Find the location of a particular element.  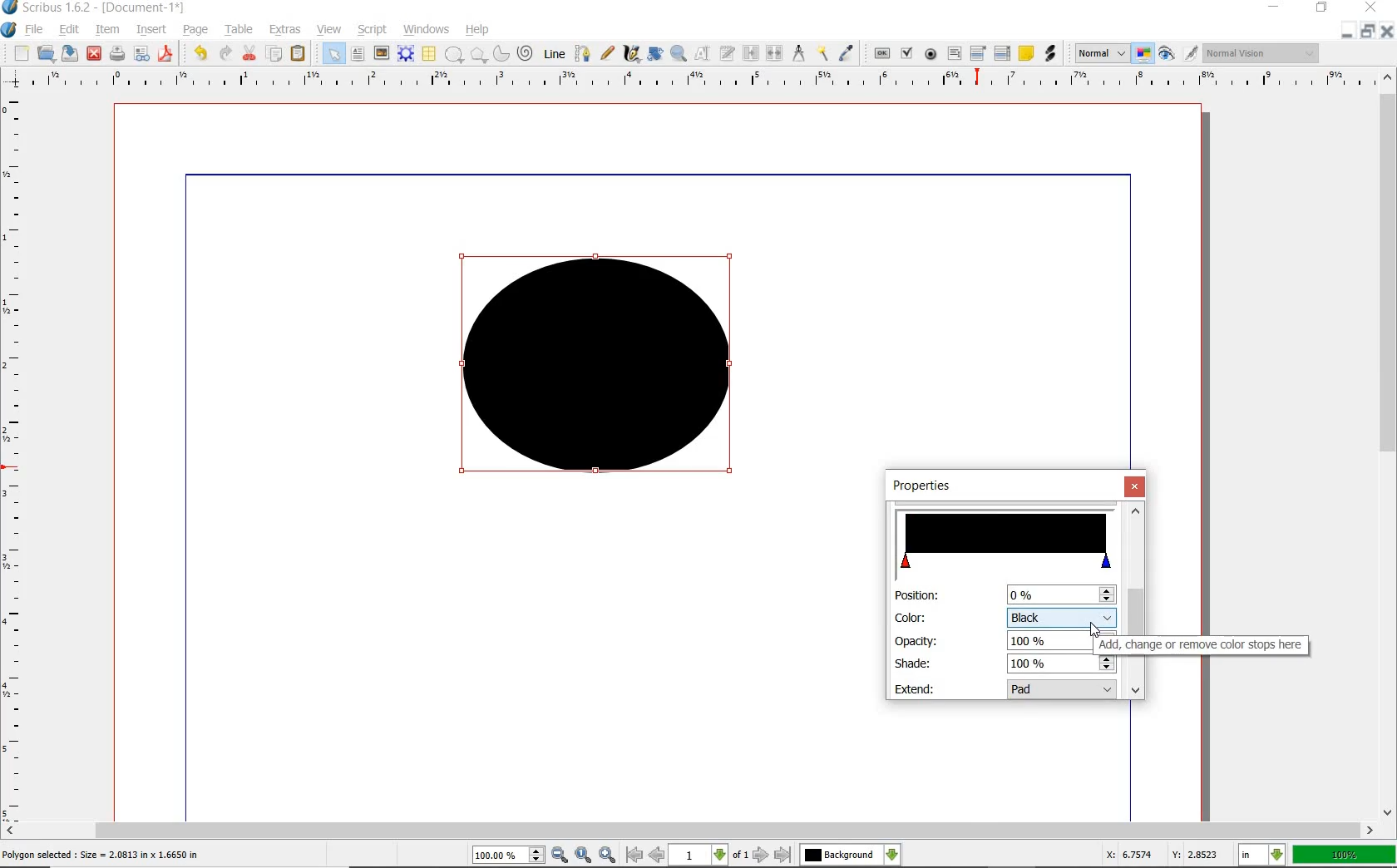

SCROLLBAR is located at coordinates (1389, 442).